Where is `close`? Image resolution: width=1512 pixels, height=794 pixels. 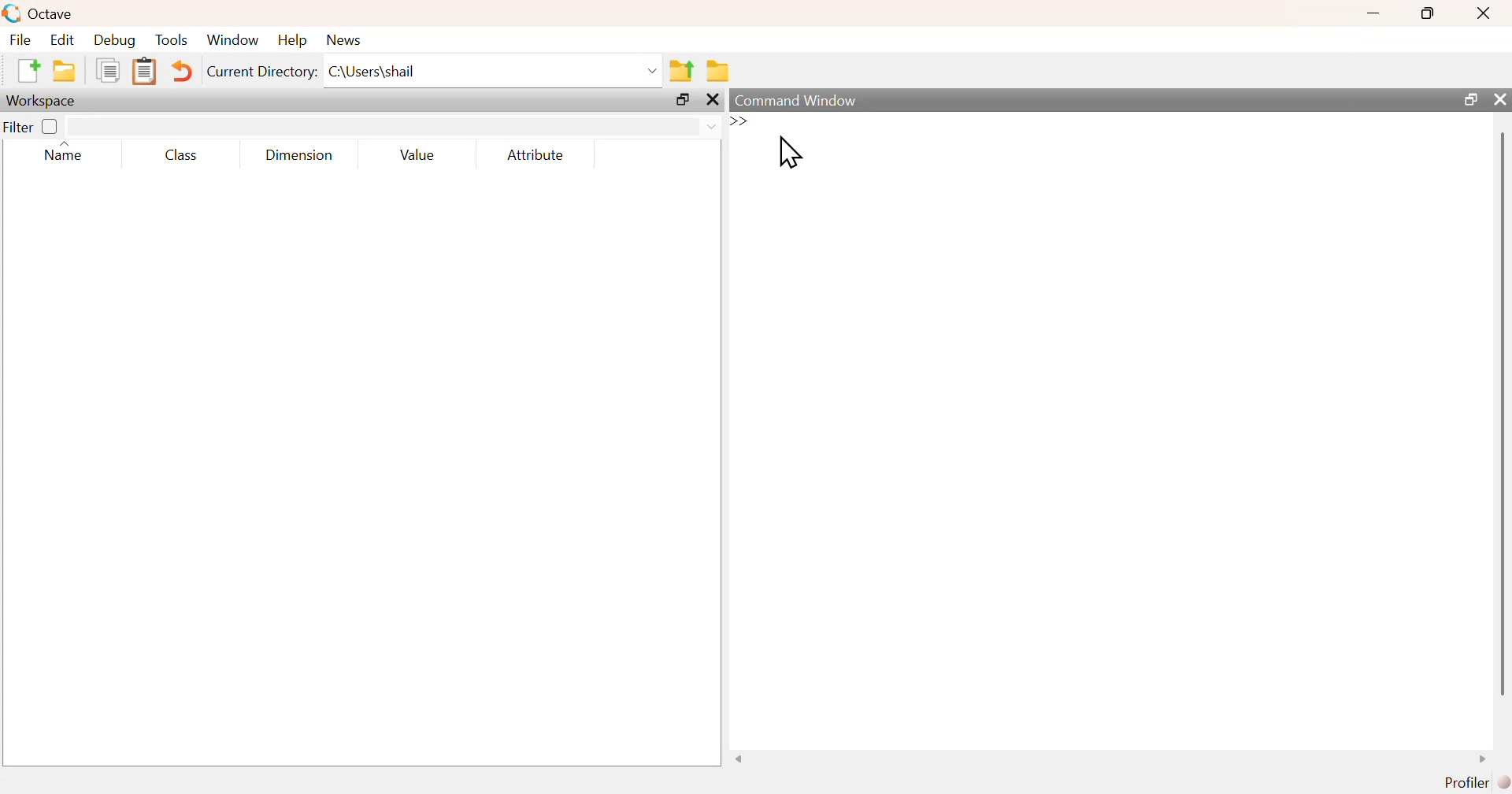 close is located at coordinates (1498, 98).